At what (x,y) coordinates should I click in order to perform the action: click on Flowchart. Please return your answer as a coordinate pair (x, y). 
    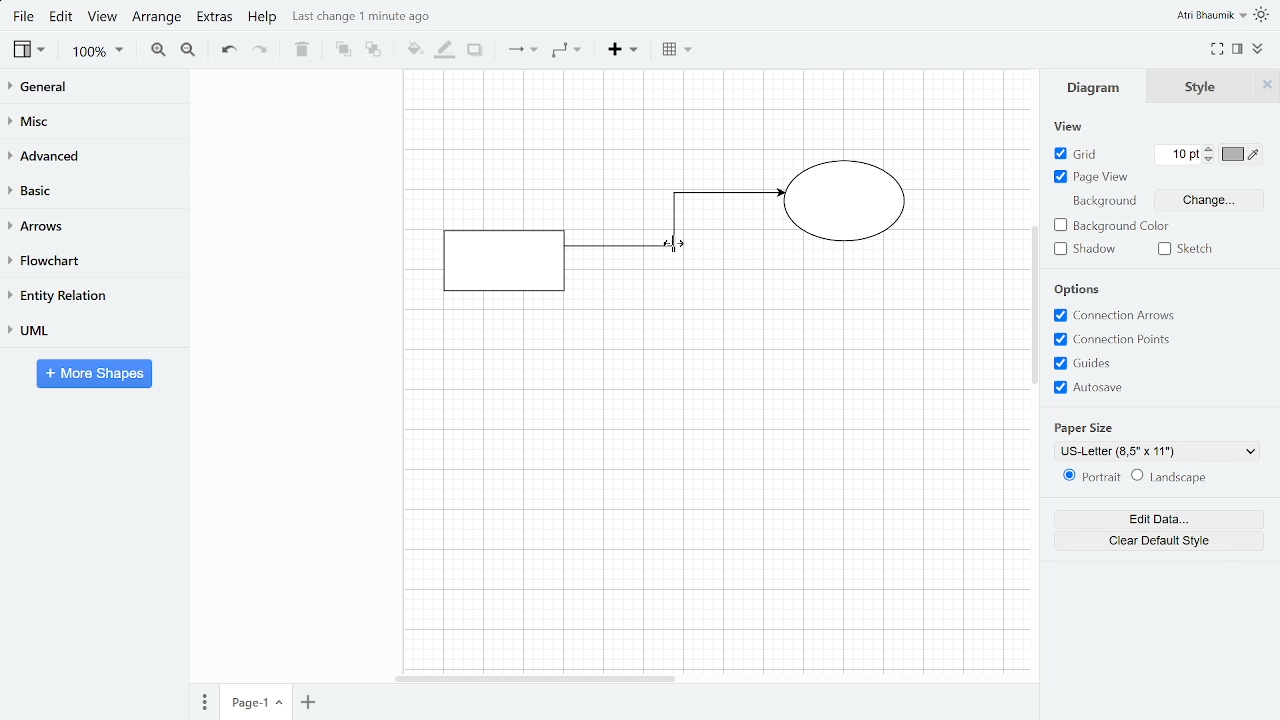
    Looking at the image, I should click on (89, 260).